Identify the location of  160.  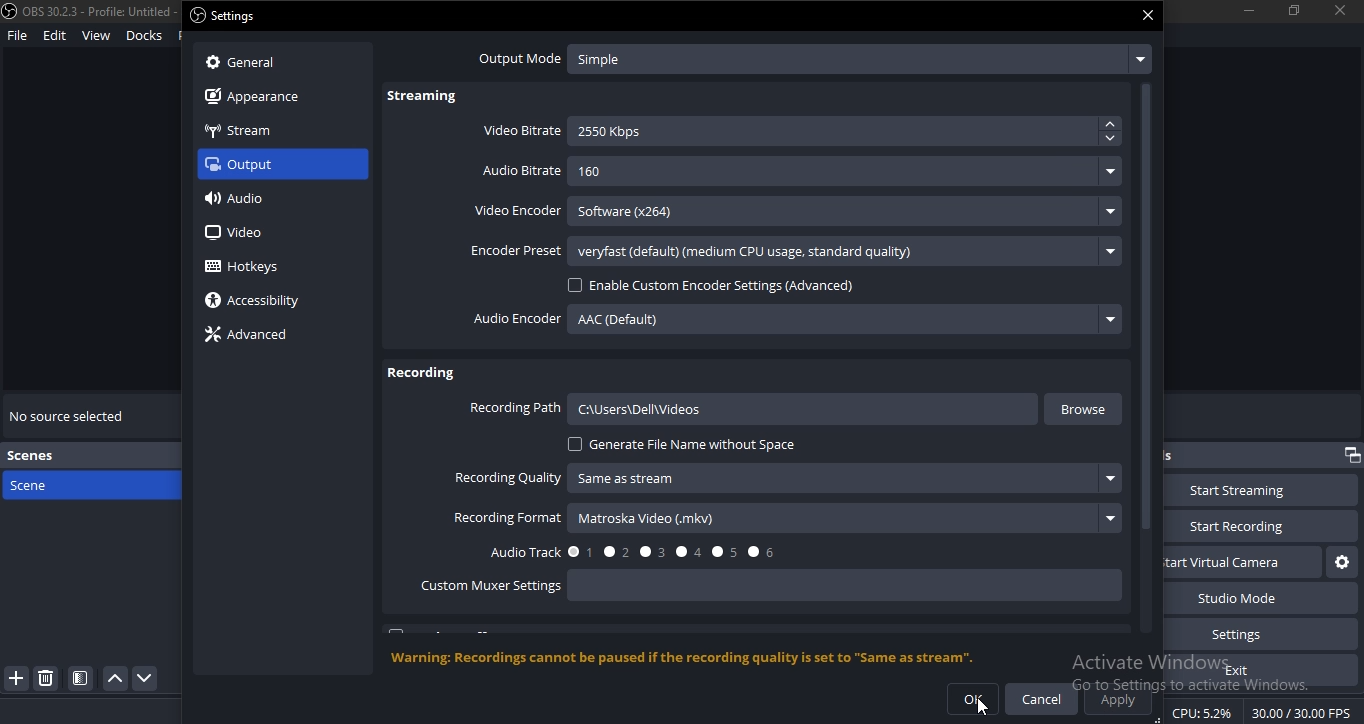
(845, 173).